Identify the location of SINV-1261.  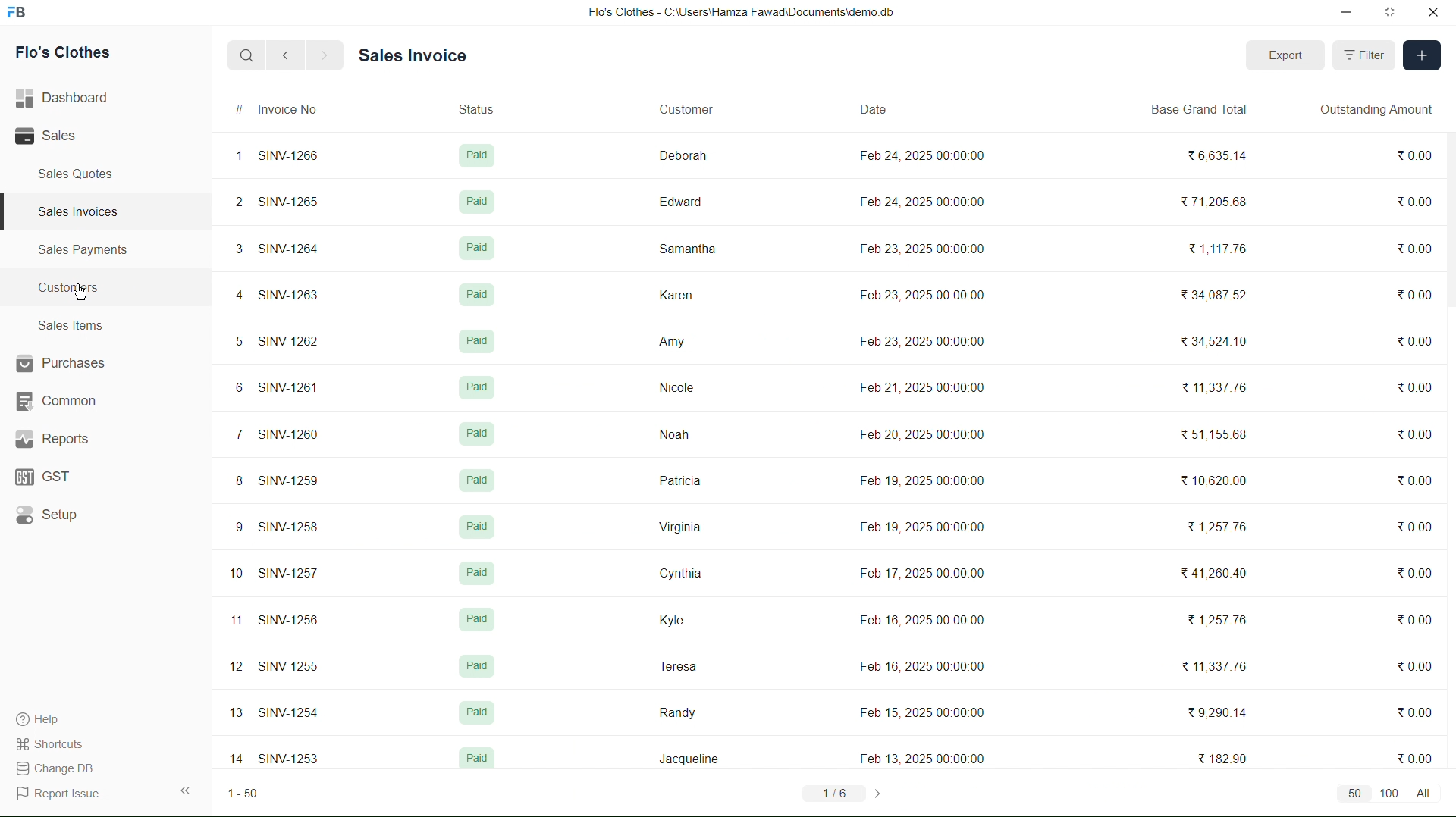
(287, 386).